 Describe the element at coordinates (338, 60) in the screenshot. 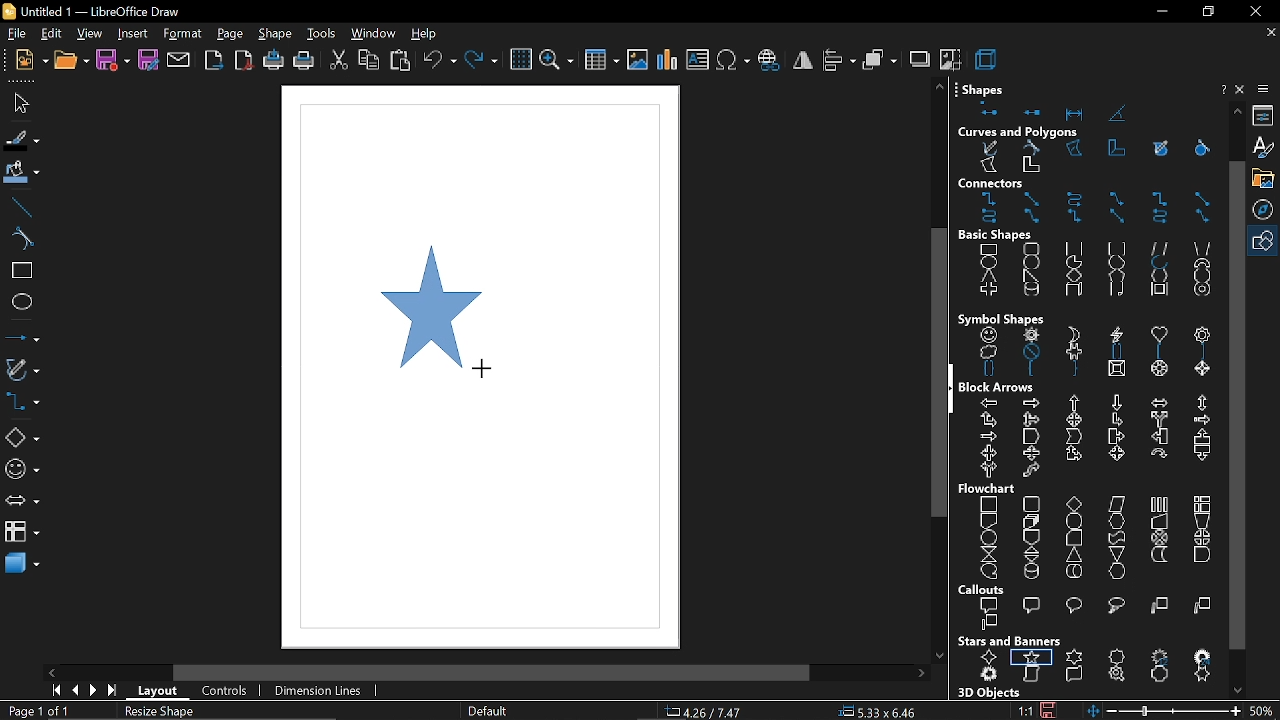

I see `cut ` at that location.